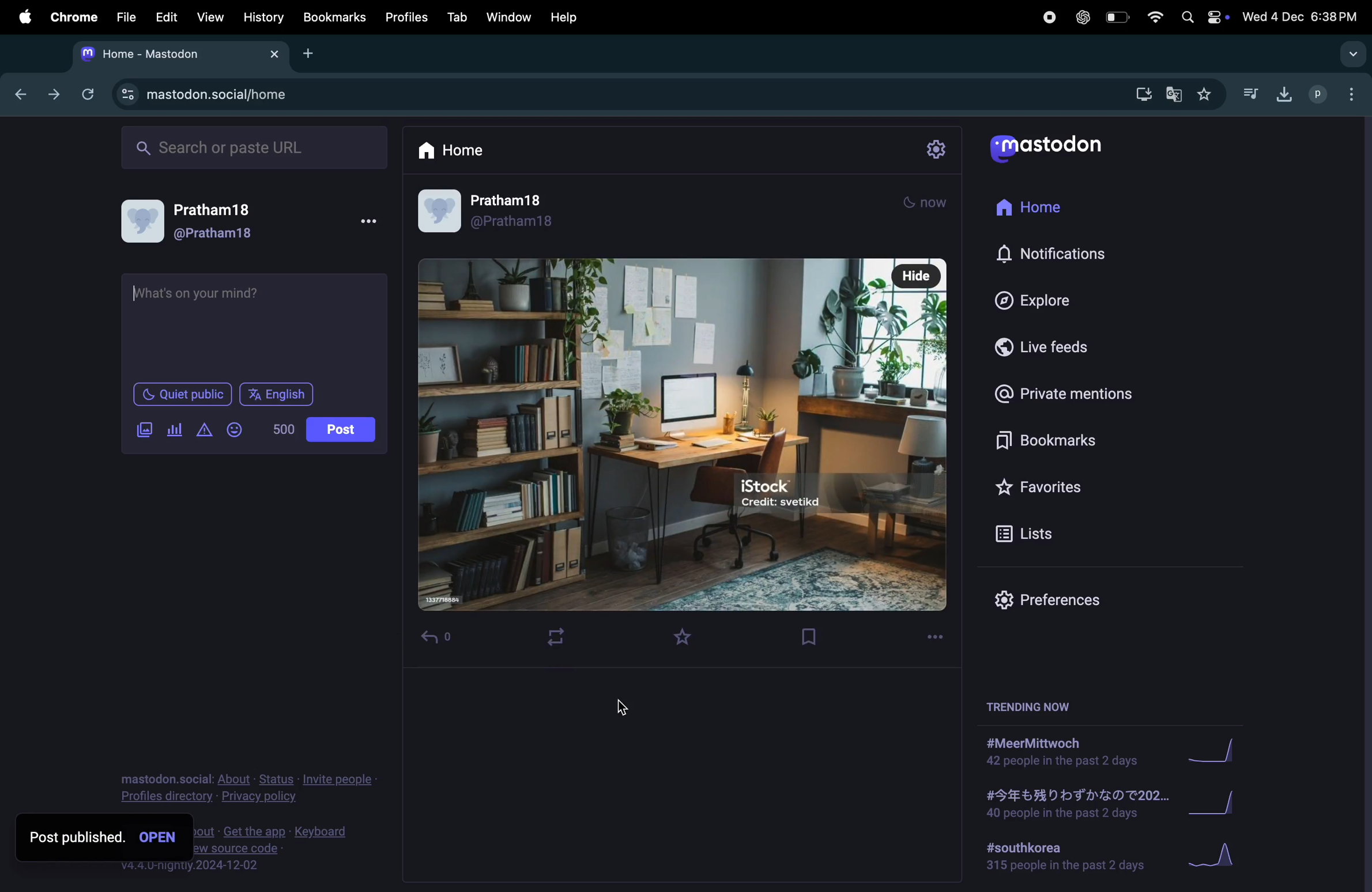  Describe the element at coordinates (109, 836) in the screenshot. I see `post published` at that location.